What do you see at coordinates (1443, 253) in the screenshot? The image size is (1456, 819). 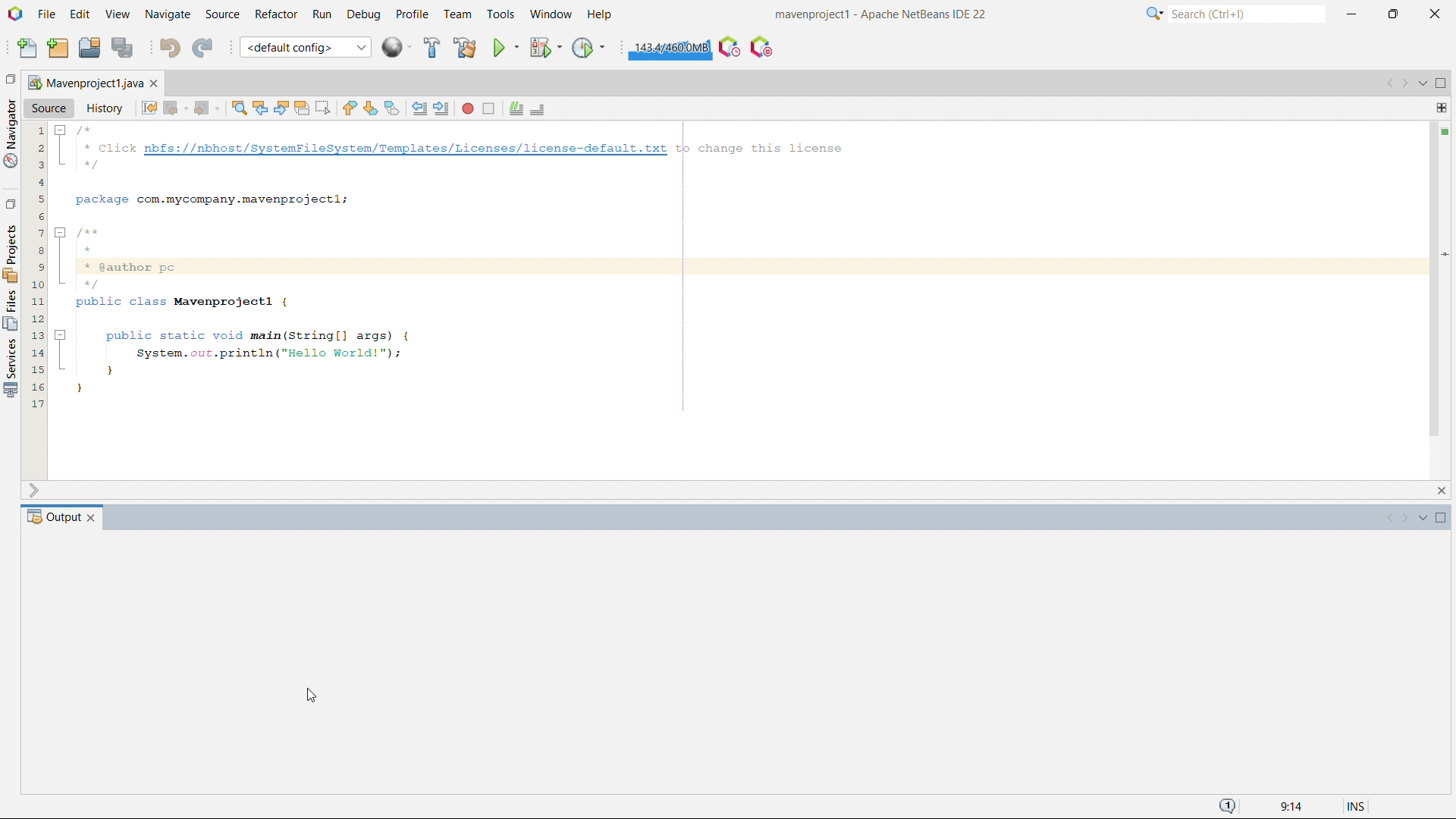 I see `line mark` at bounding box center [1443, 253].